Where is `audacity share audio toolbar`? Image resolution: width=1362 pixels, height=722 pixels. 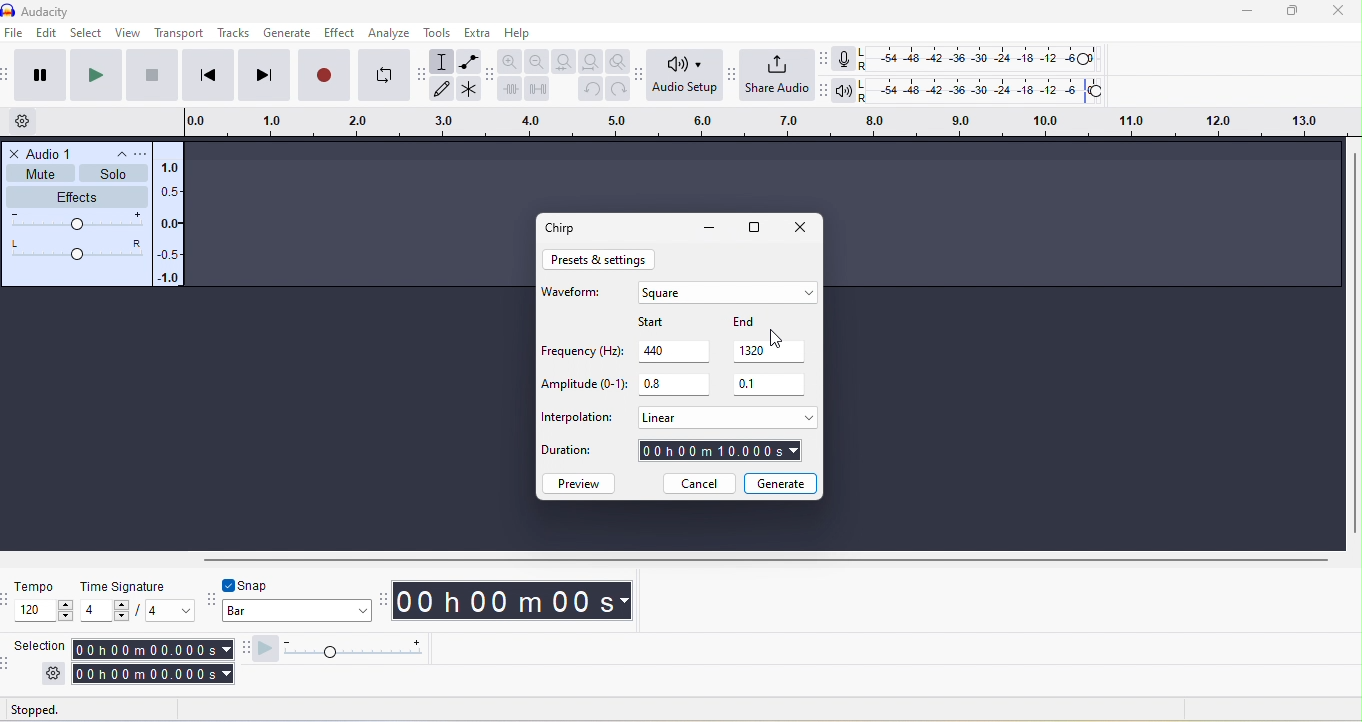
audacity share audio toolbar is located at coordinates (736, 80).